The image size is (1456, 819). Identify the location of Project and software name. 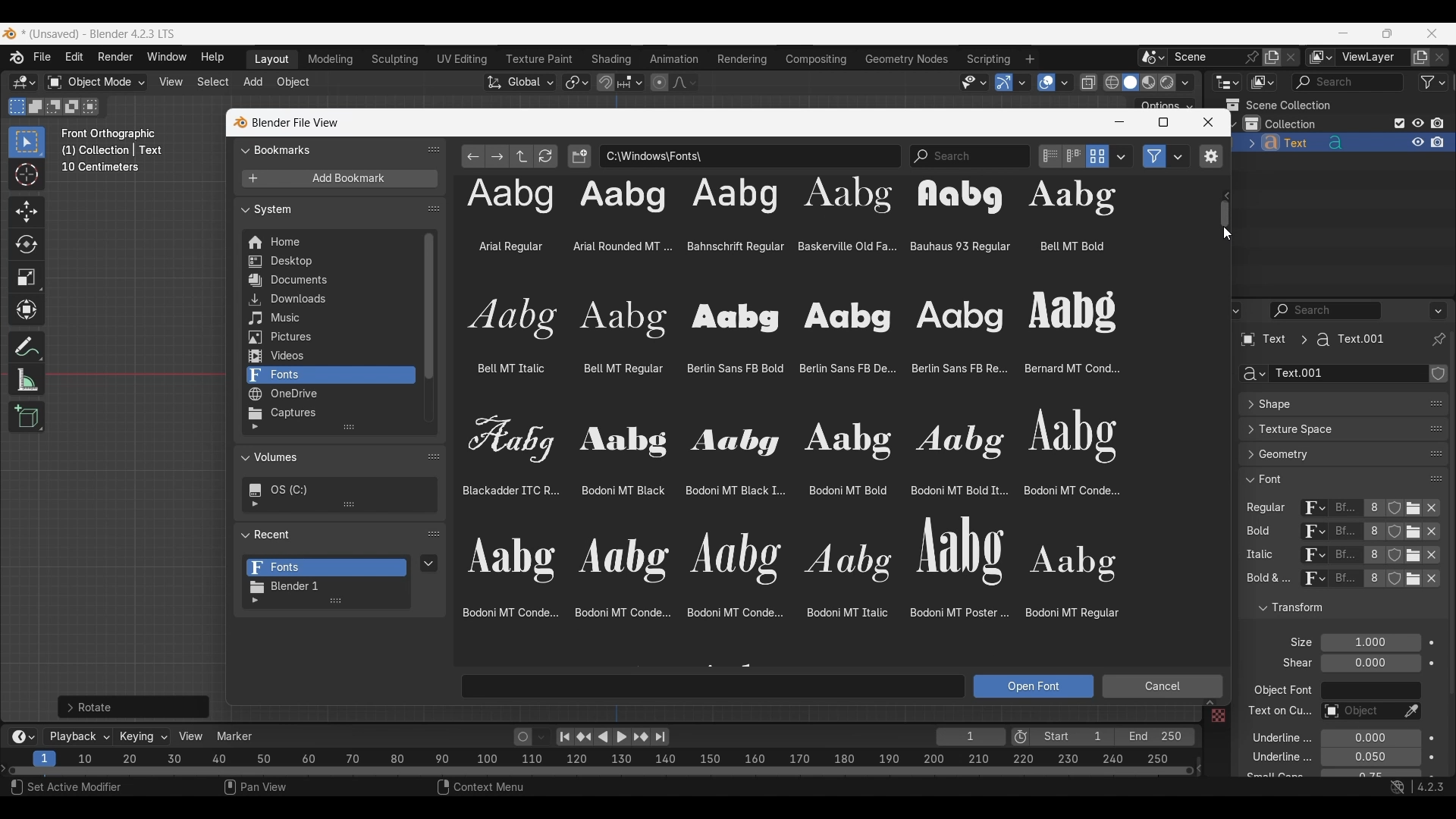
(99, 34).